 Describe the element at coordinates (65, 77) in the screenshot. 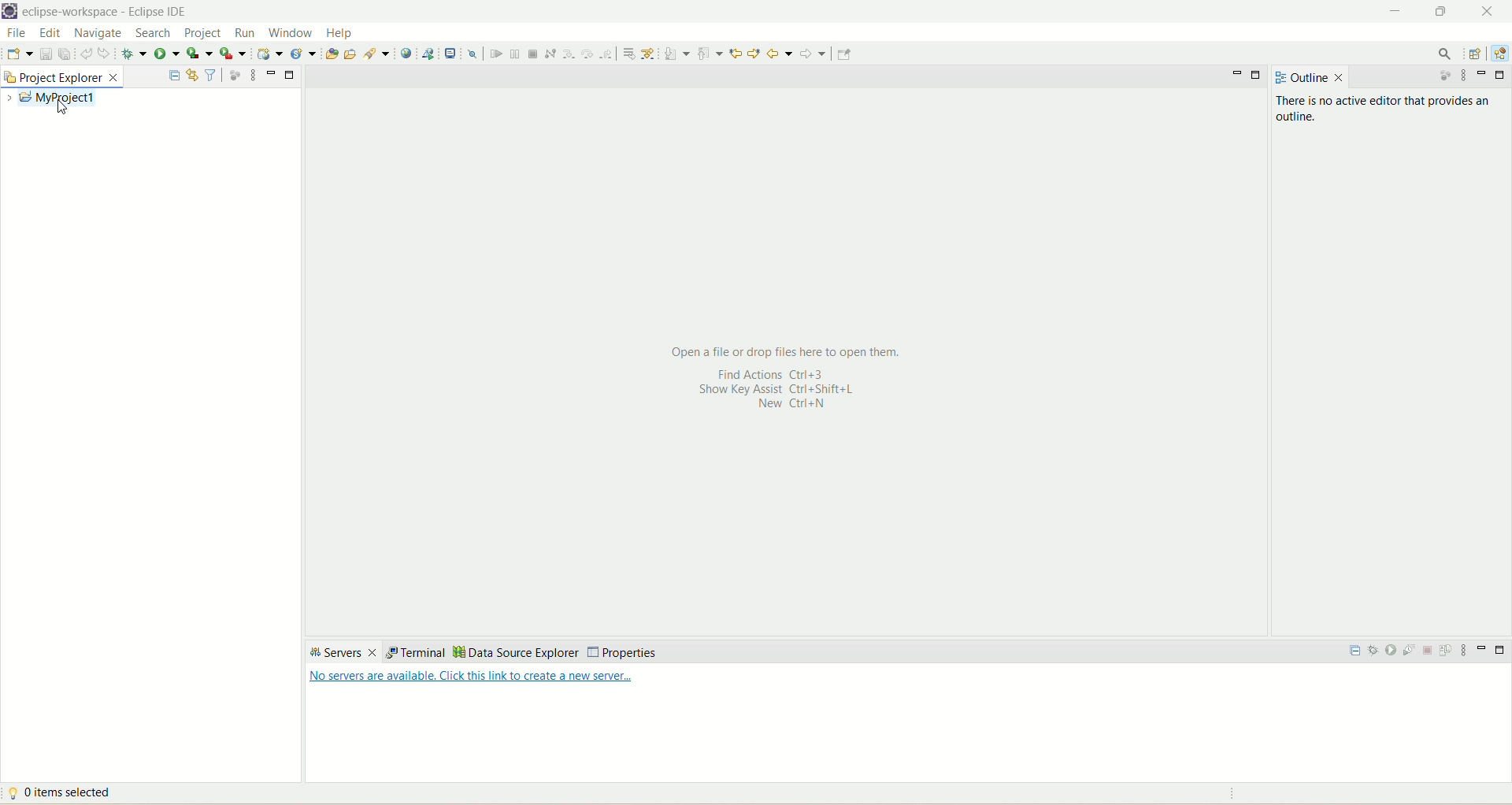

I see `project explorer` at that location.